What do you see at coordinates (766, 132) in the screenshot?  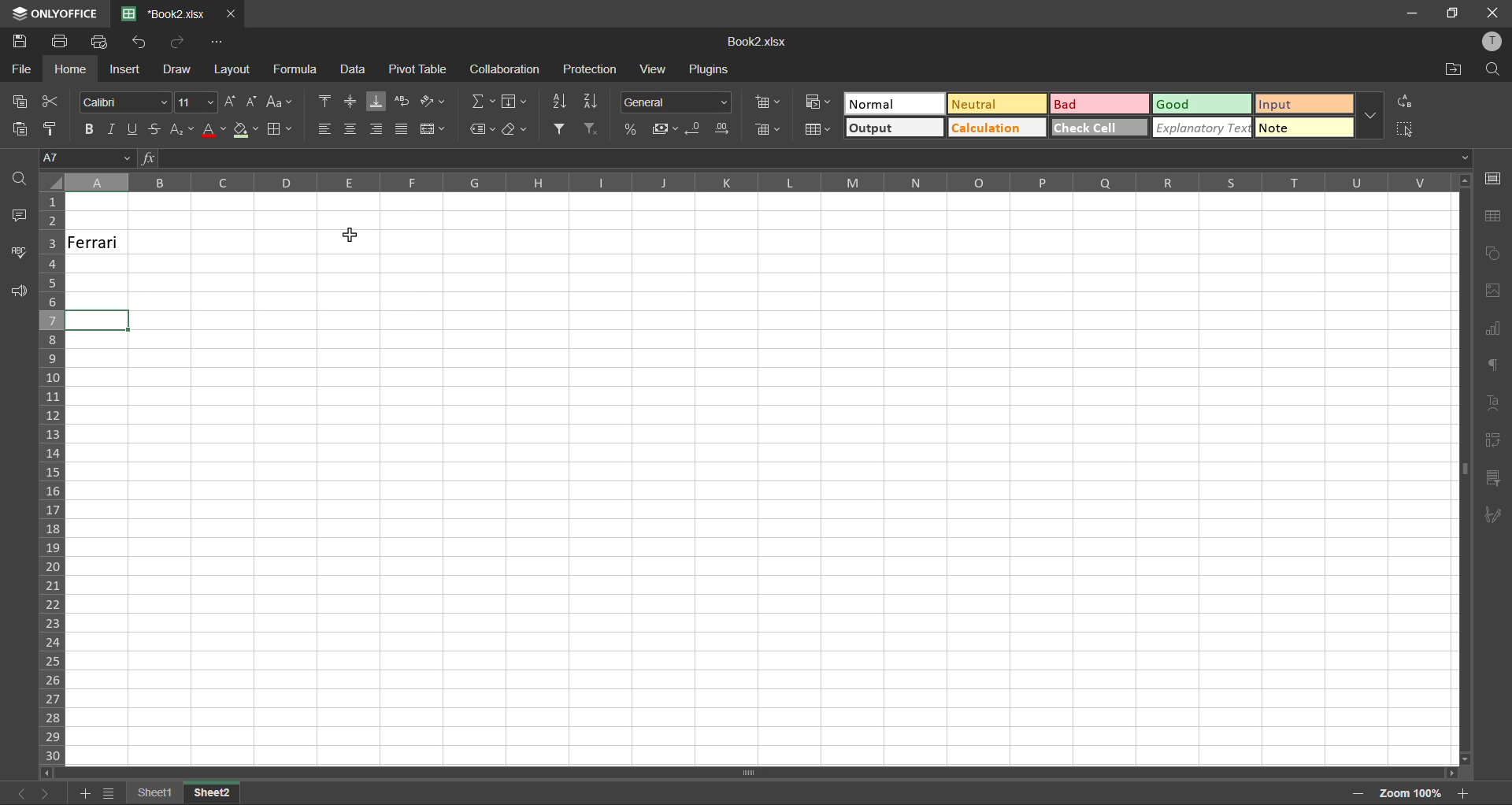 I see `delete cells` at bounding box center [766, 132].